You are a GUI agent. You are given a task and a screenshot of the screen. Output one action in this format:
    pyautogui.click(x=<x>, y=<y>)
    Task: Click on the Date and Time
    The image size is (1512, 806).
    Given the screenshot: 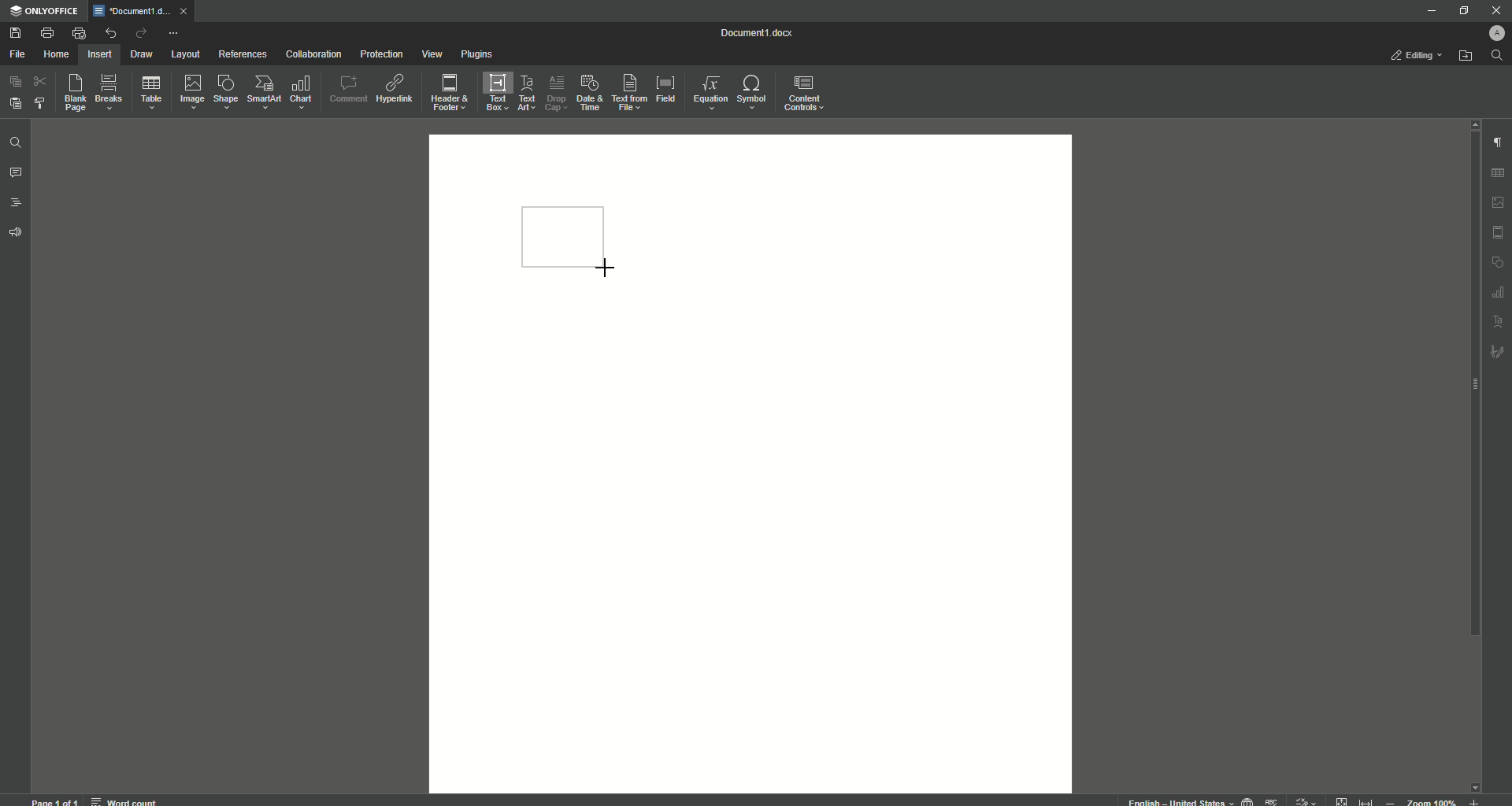 What is the action you would take?
    pyautogui.click(x=589, y=93)
    